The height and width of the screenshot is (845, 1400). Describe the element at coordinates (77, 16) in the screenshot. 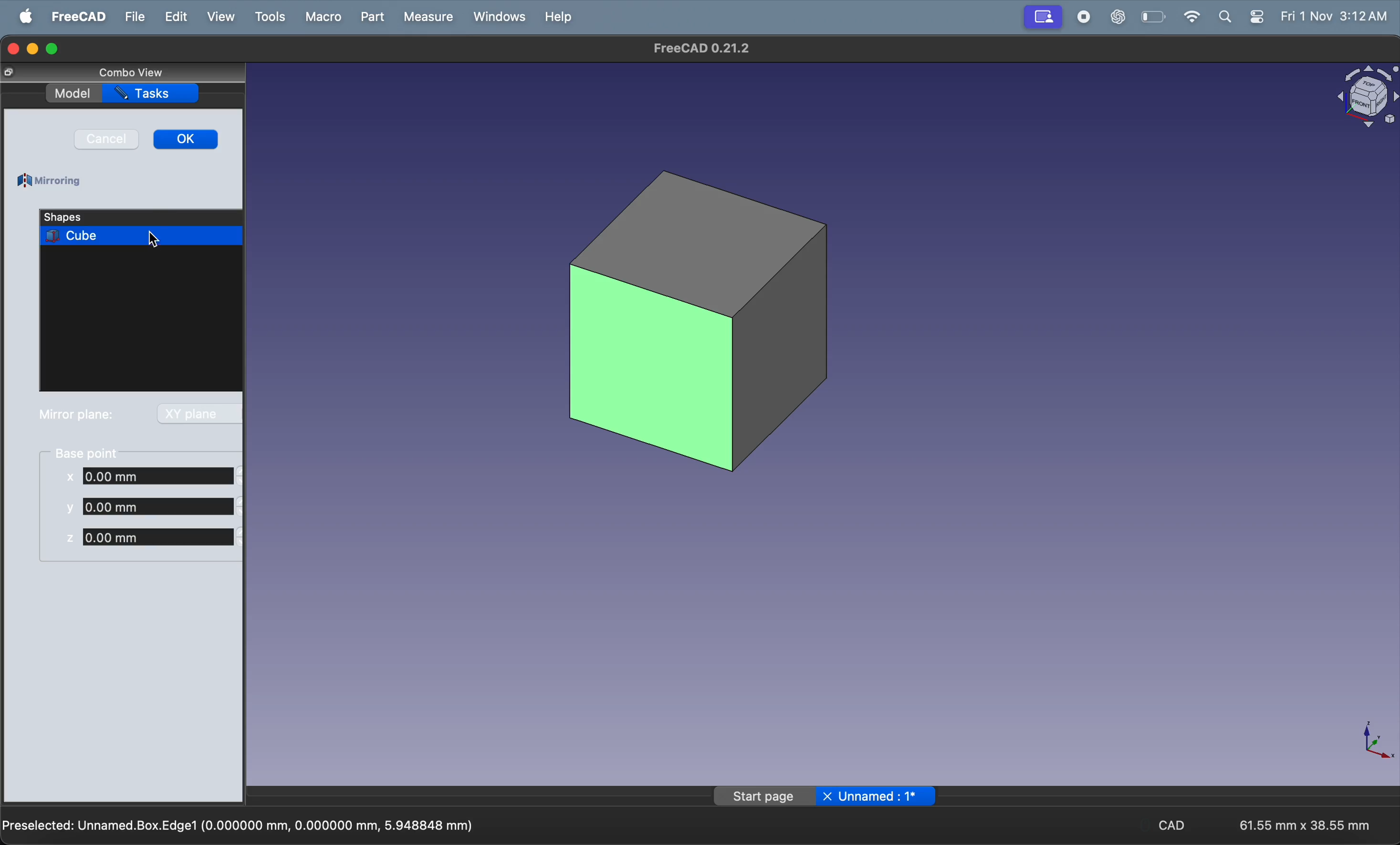

I see `freecad` at that location.